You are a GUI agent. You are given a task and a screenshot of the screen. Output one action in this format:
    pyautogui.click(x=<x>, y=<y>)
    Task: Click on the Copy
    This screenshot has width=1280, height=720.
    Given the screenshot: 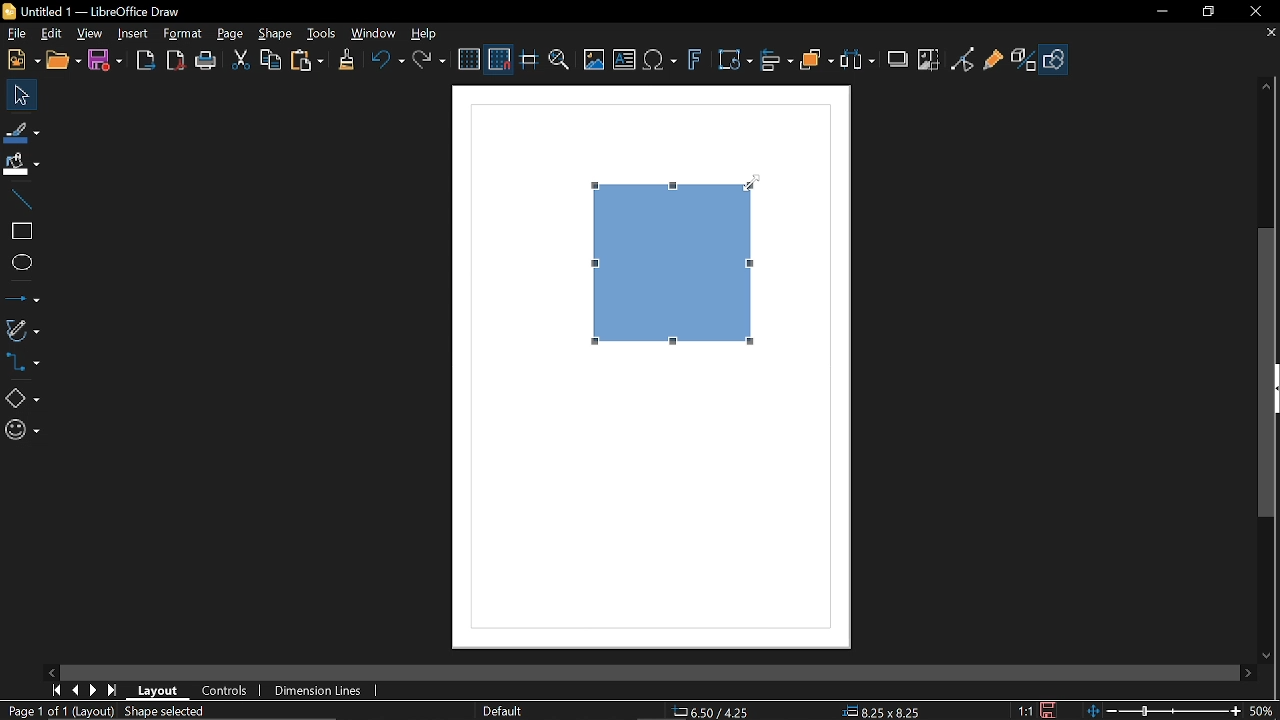 What is the action you would take?
    pyautogui.click(x=272, y=61)
    